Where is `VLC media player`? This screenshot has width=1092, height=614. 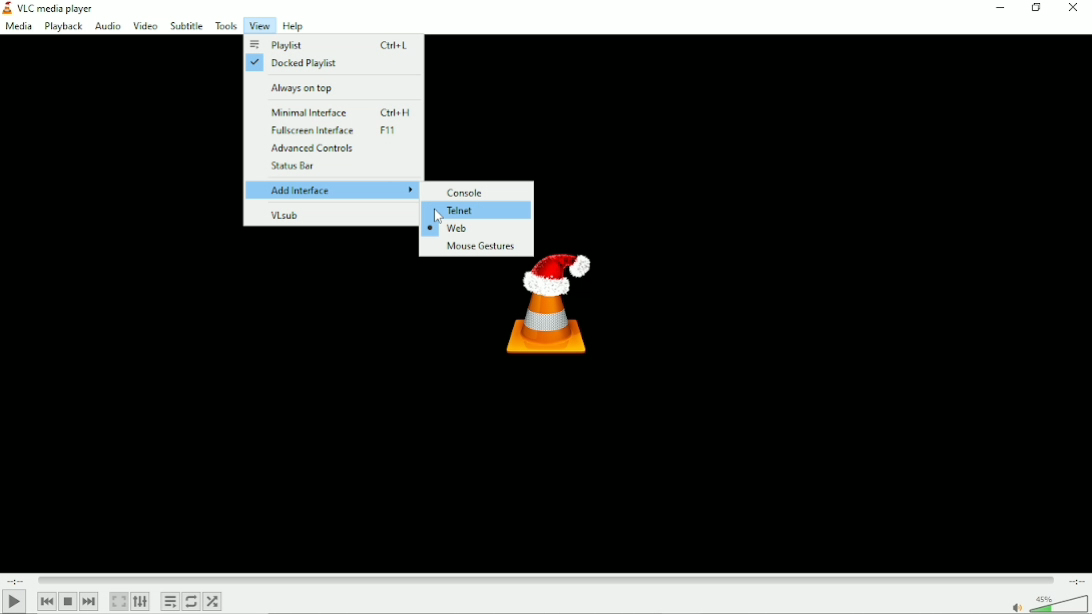 VLC media player is located at coordinates (54, 8).